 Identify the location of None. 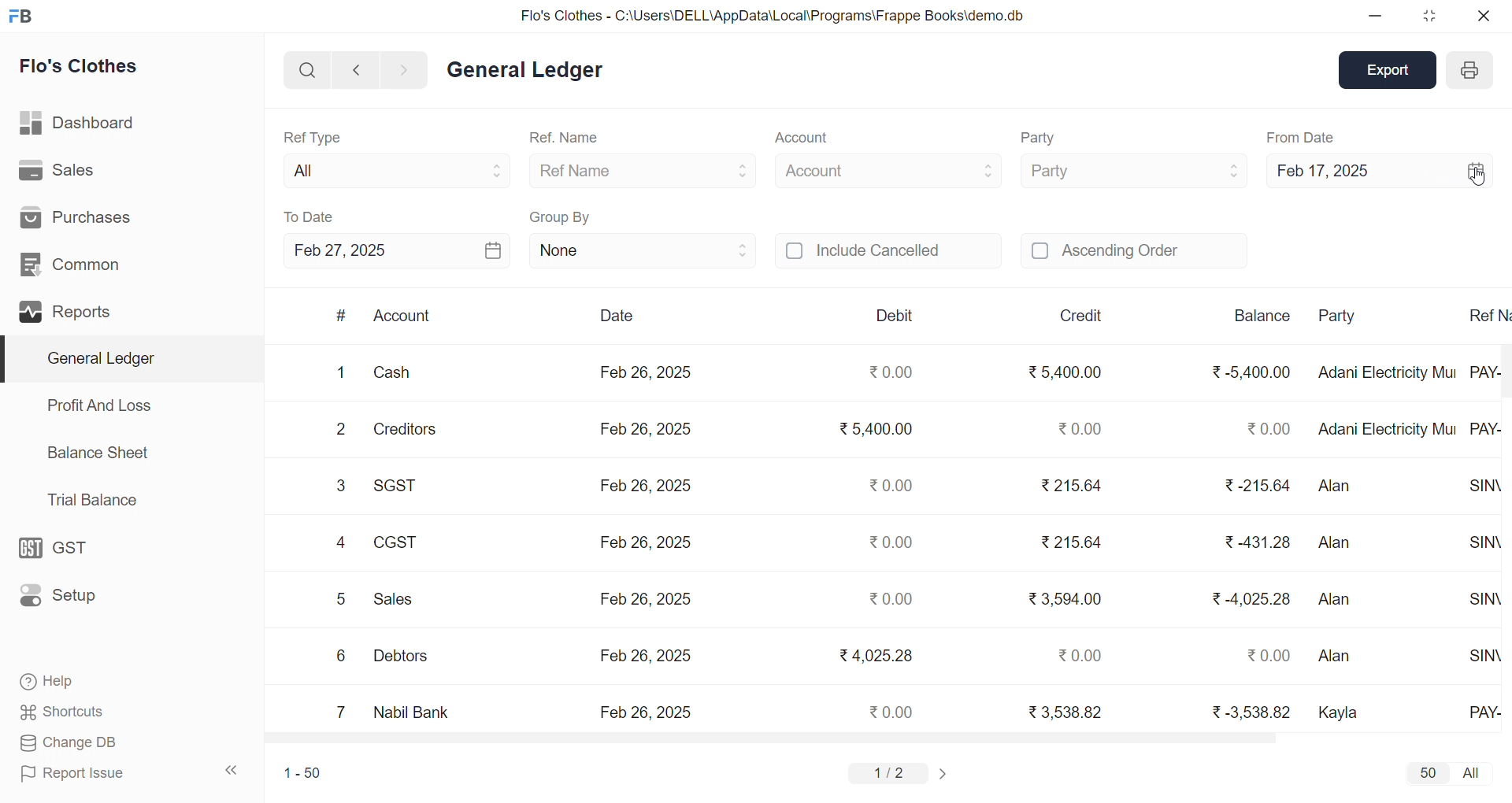
(643, 250).